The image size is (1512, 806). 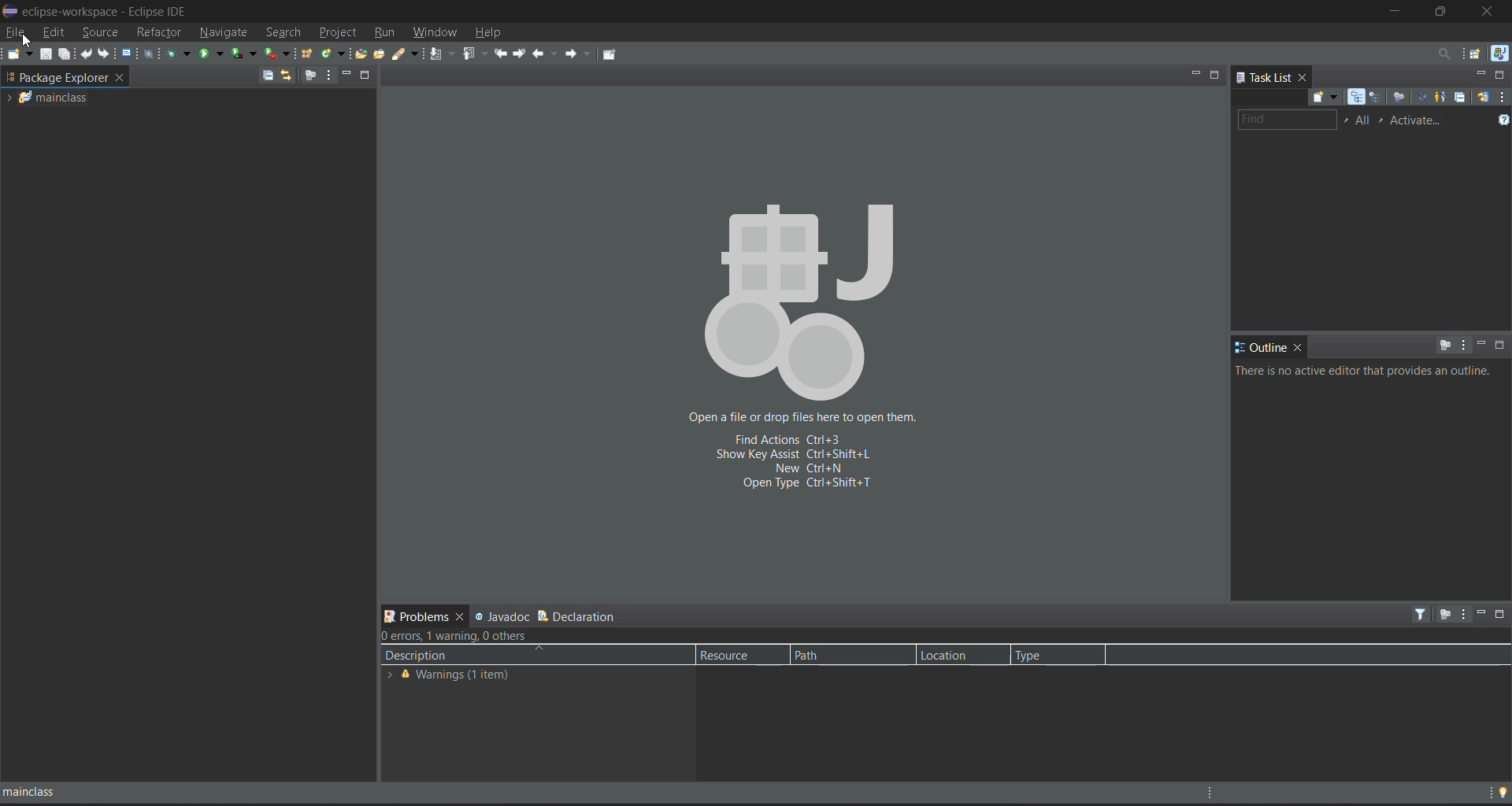 What do you see at coordinates (1299, 347) in the screenshot?
I see `close` at bounding box center [1299, 347].